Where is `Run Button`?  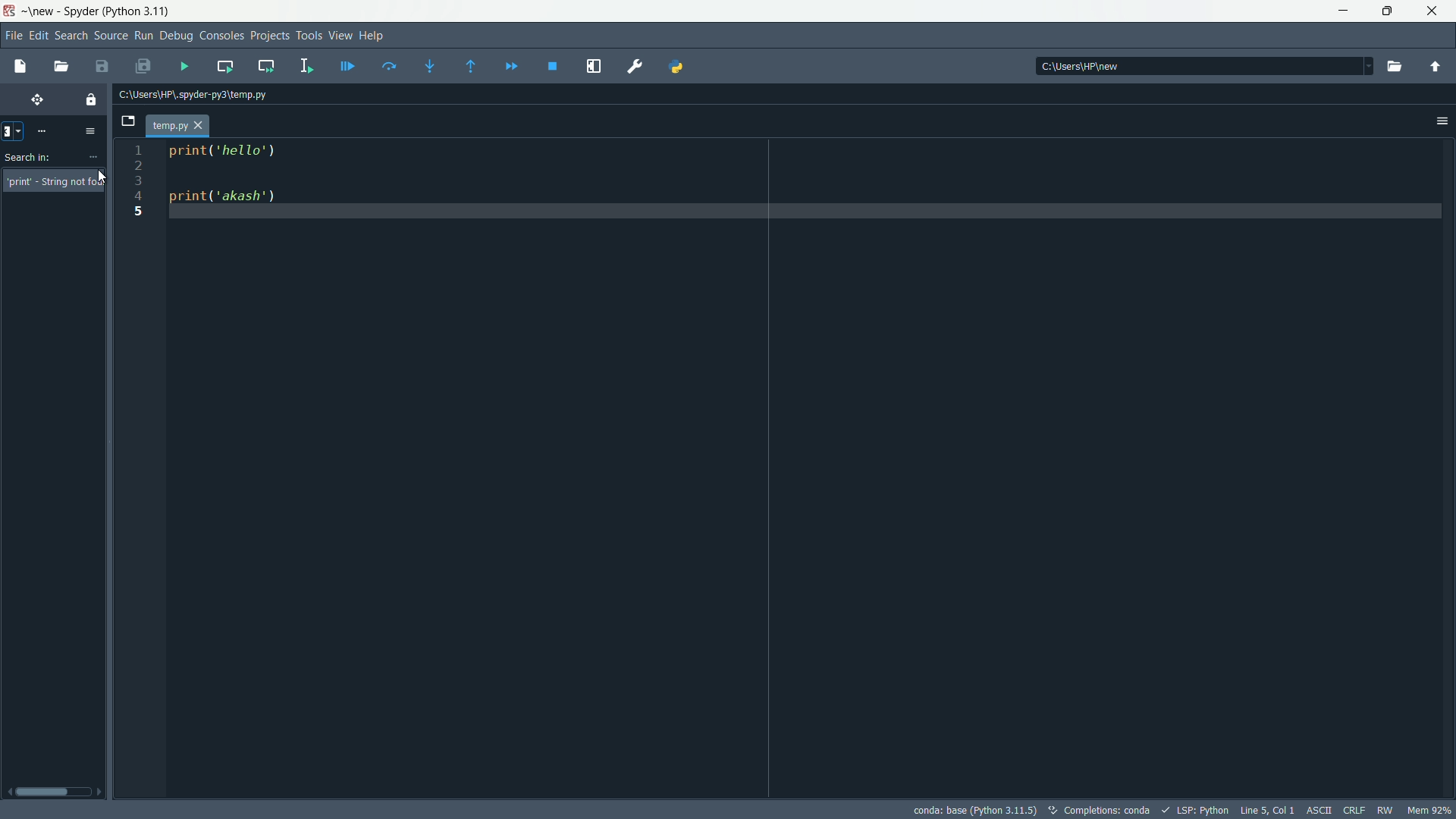
Run Button is located at coordinates (144, 36).